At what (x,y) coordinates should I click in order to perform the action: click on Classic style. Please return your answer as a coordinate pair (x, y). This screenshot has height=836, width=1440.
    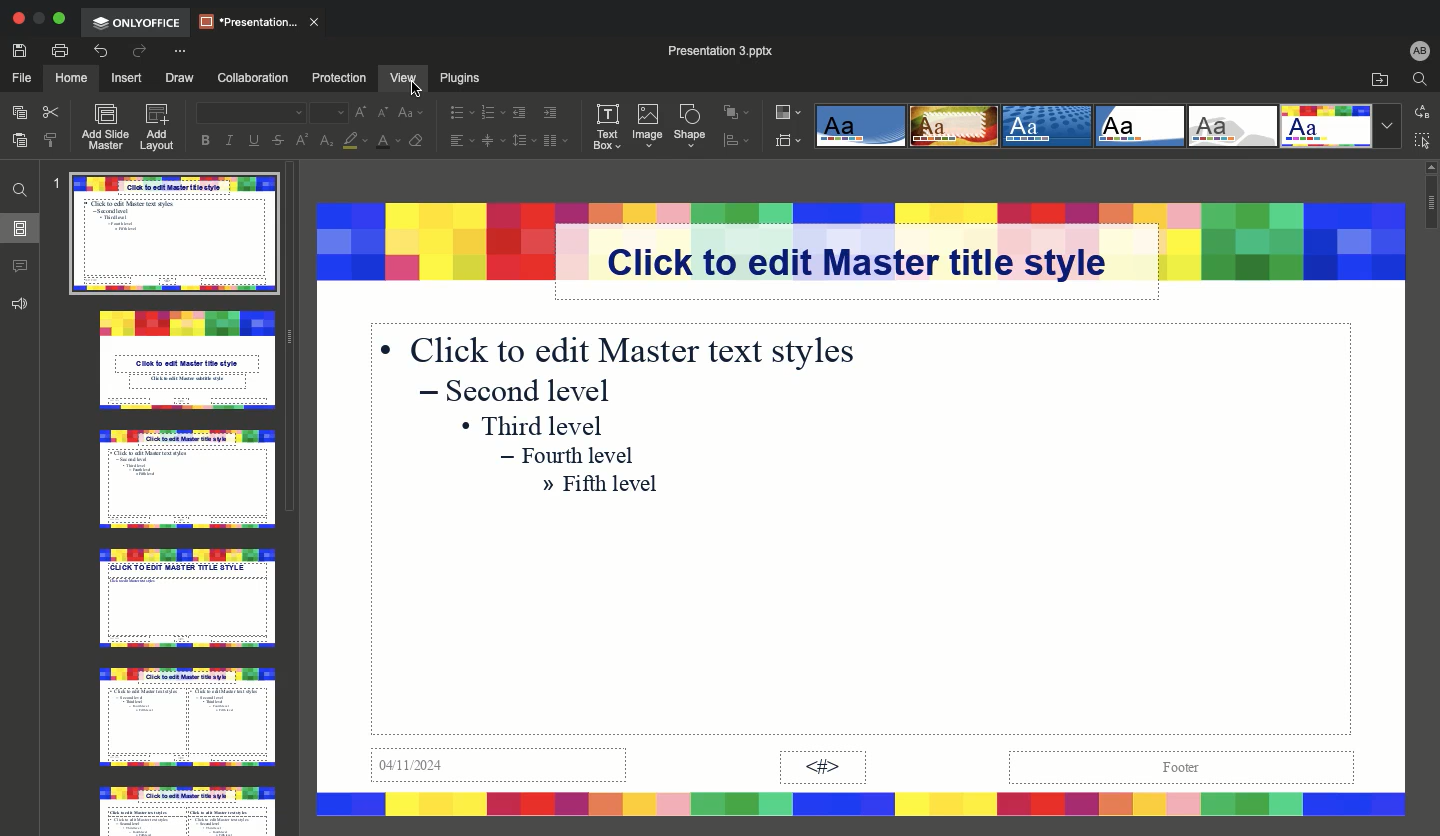
    Looking at the image, I should click on (1048, 124).